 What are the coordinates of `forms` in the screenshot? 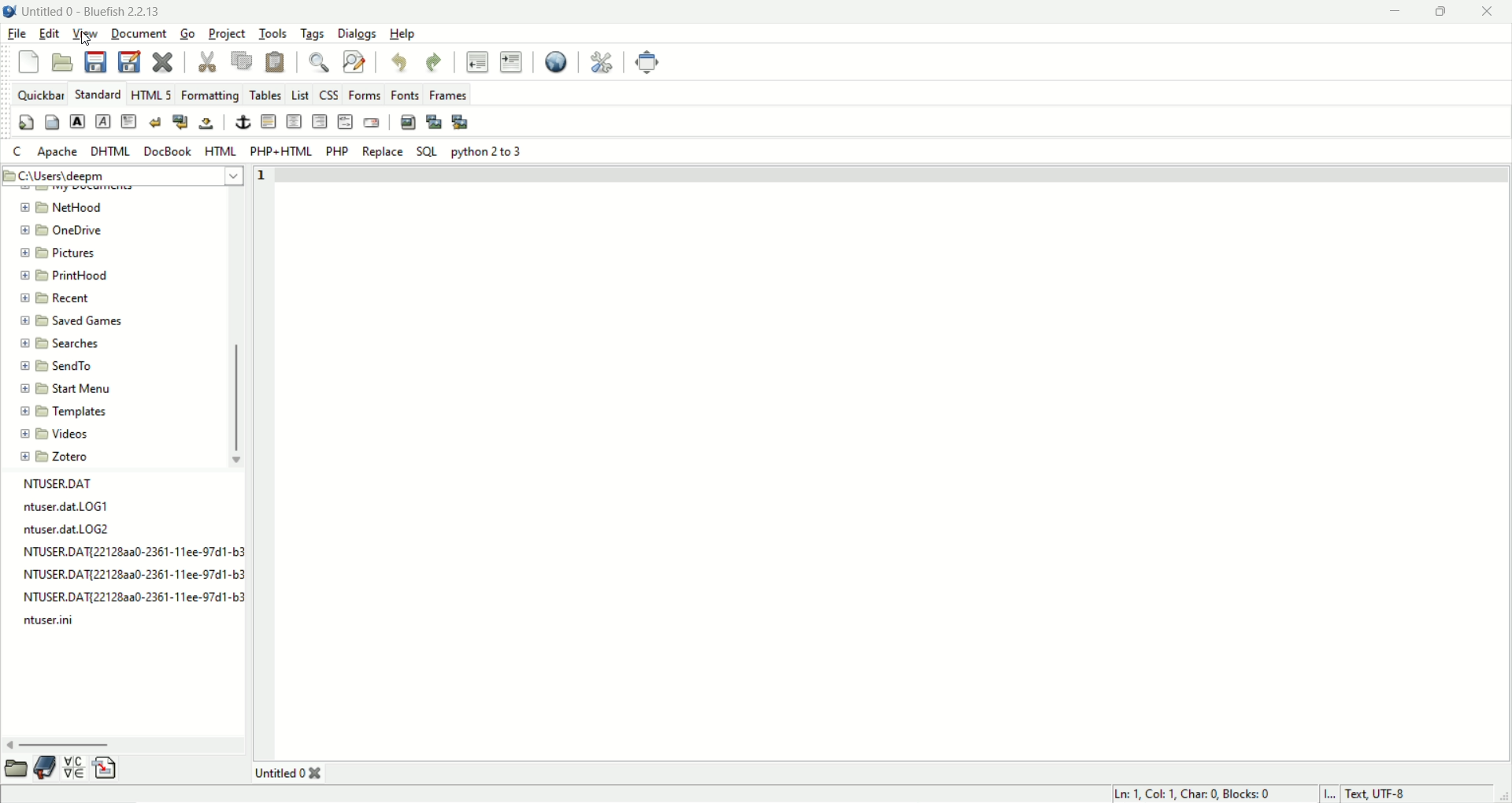 It's located at (365, 94).